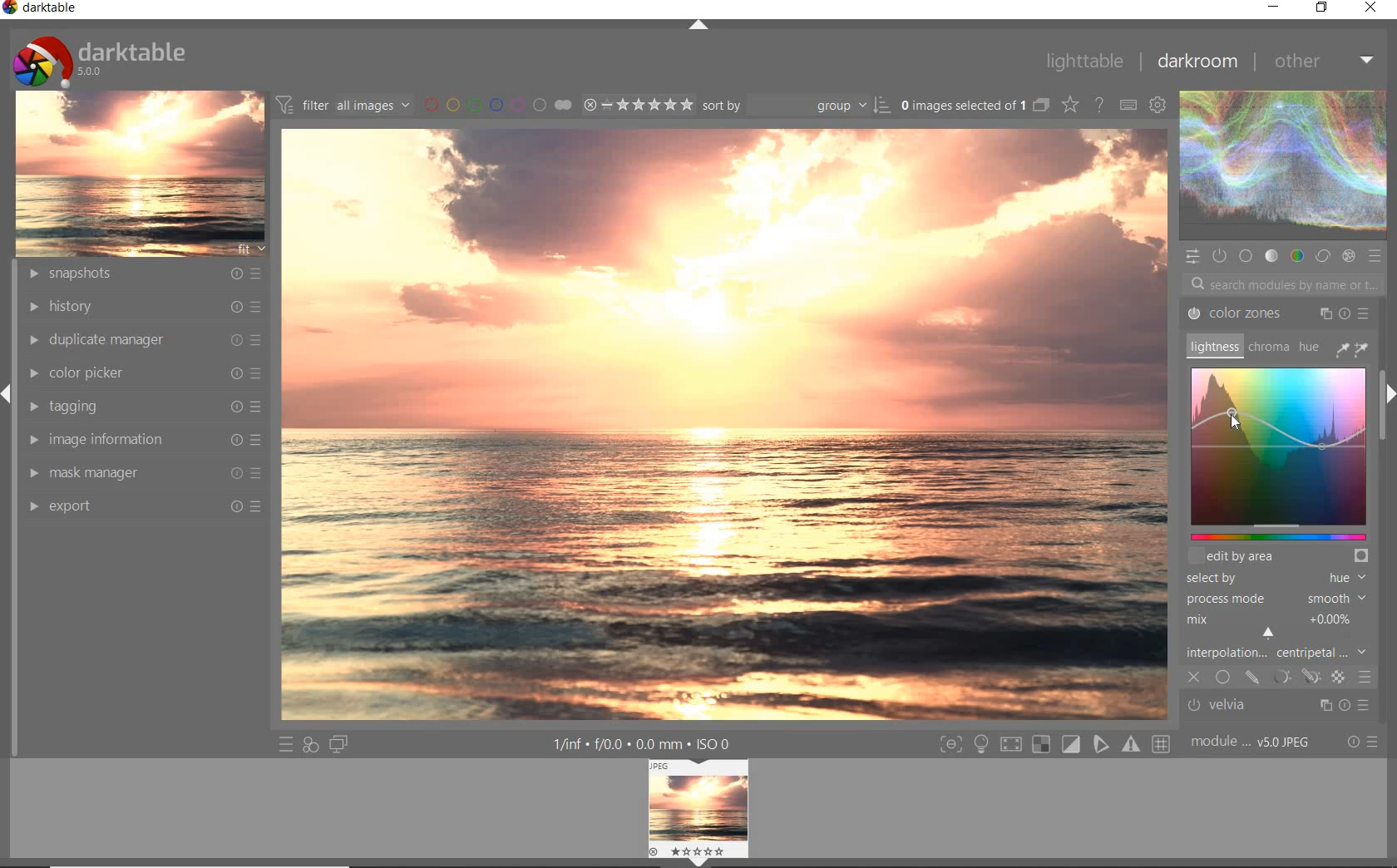 The height and width of the screenshot is (868, 1397). Describe the element at coordinates (1387, 396) in the screenshot. I see `EXPAND/COLLAPSE` at that location.